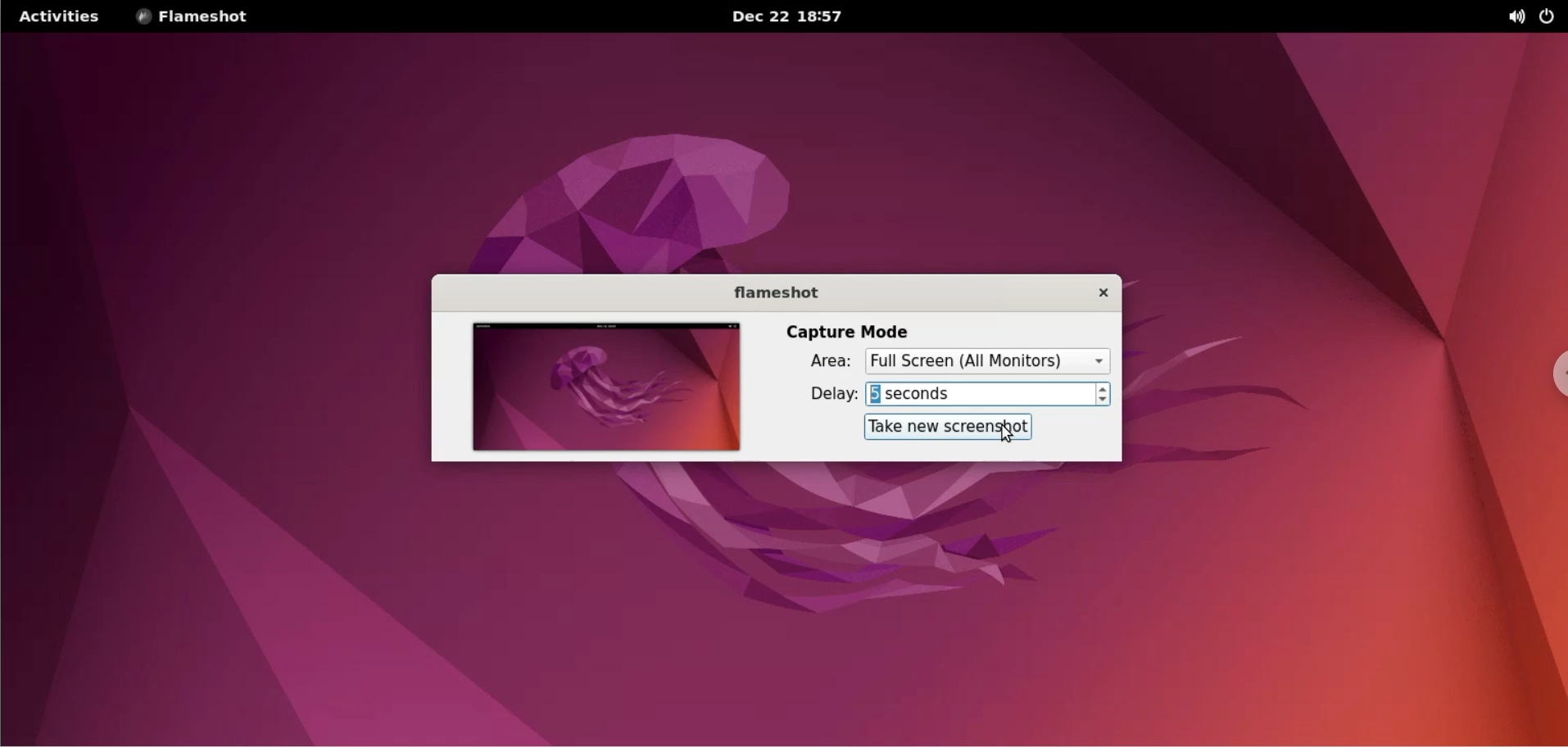  I want to click on 5 seconds, so click(981, 394).